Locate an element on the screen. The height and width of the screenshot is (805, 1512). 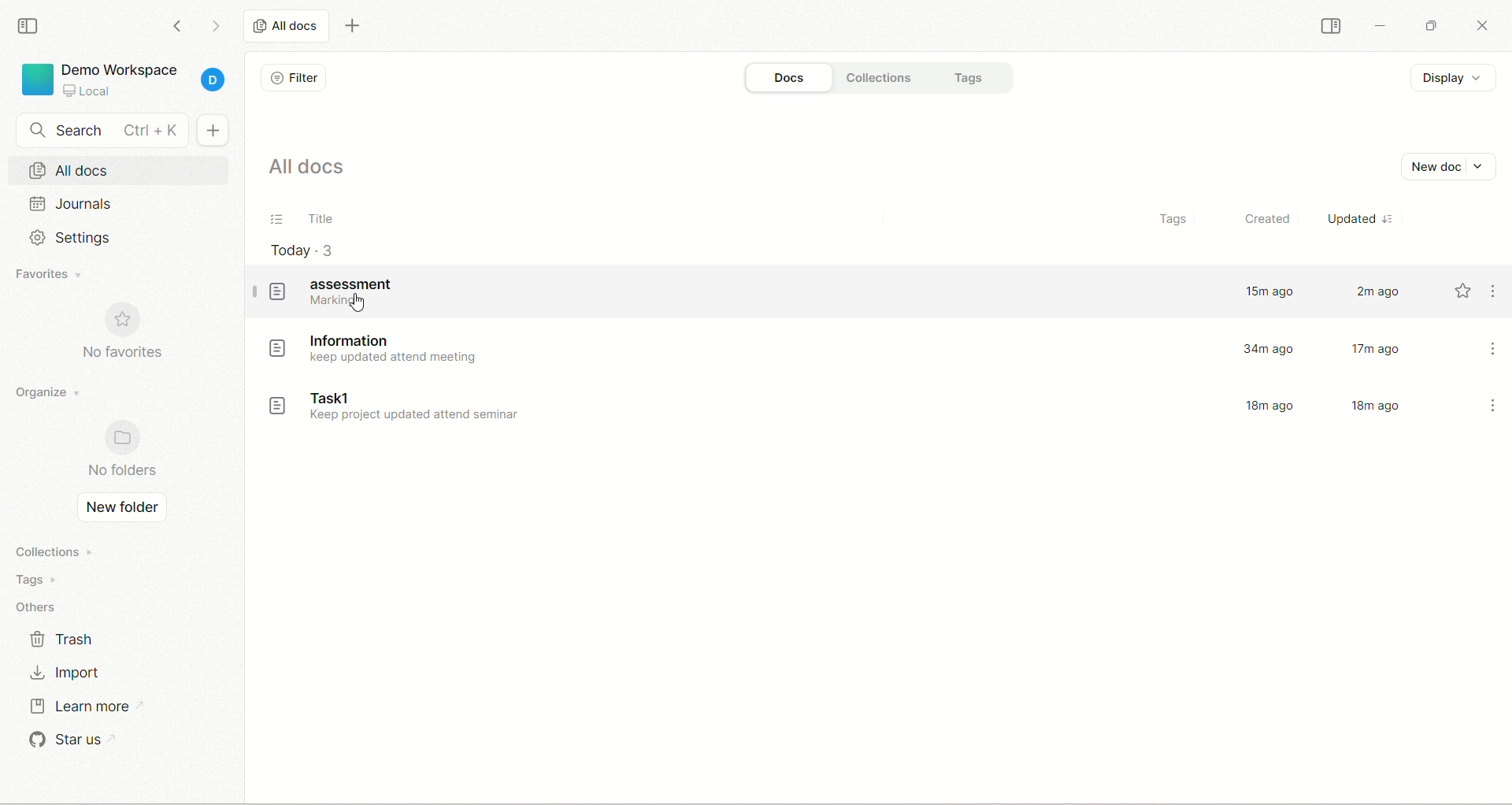
all docs is located at coordinates (283, 26).